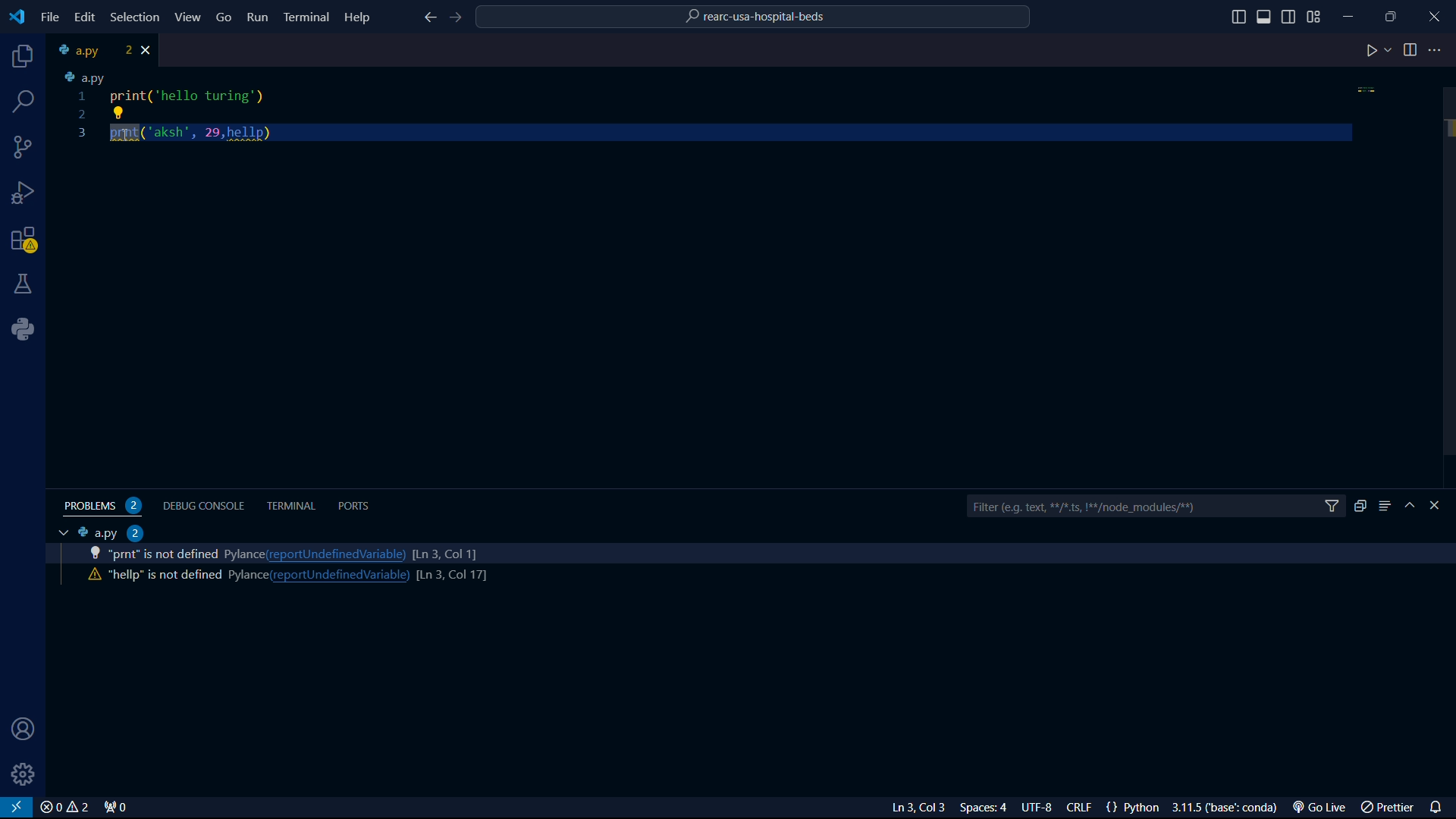  Describe the element at coordinates (59, 533) in the screenshot. I see `tab` at that location.